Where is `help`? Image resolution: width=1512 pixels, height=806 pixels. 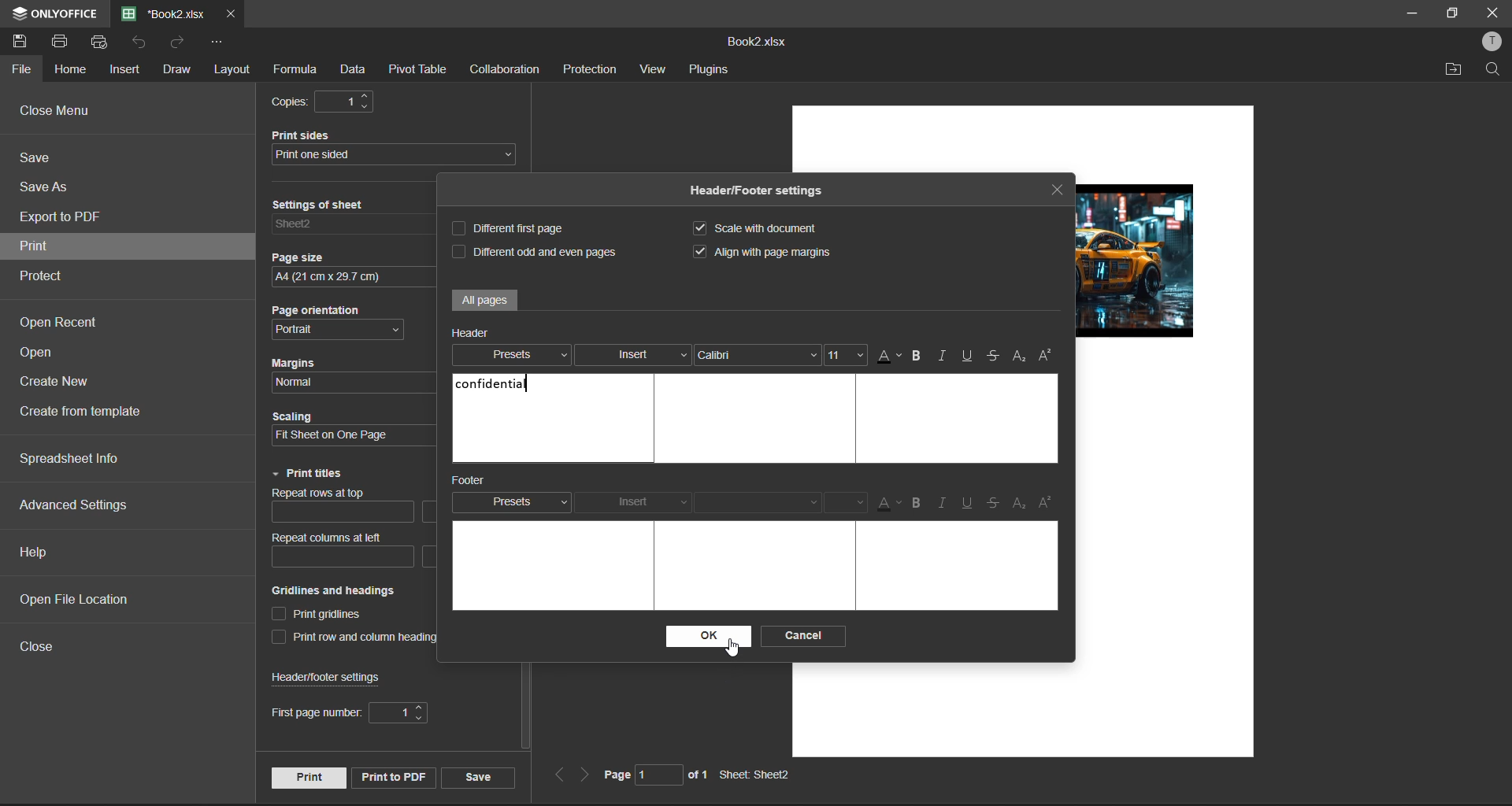
help is located at coordinates (37, 550).